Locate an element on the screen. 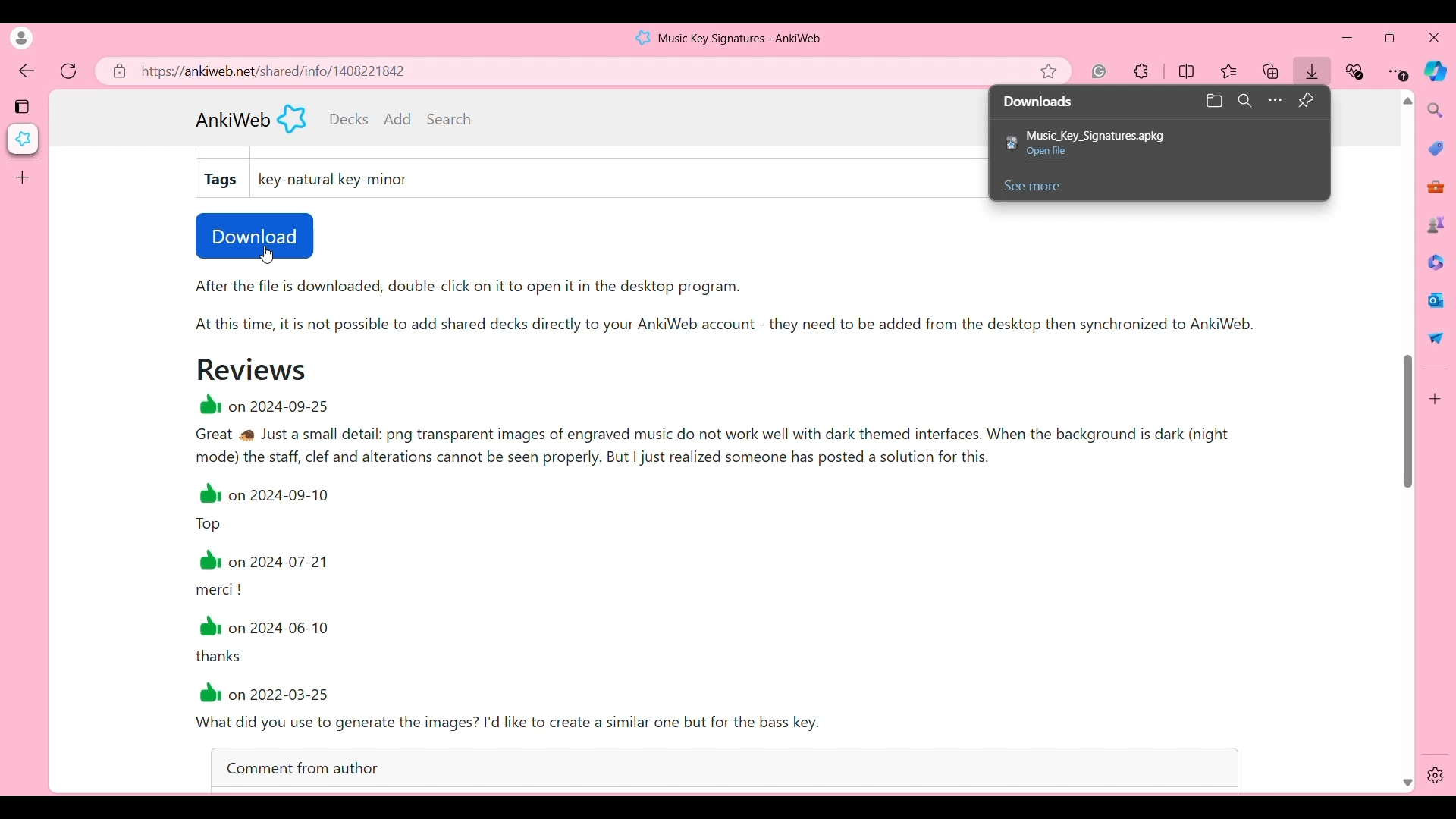 Image resolution: width=1456 pixels, height=819 pixels. Show browser in a smaller tab is located at coordinates (1391, 37).